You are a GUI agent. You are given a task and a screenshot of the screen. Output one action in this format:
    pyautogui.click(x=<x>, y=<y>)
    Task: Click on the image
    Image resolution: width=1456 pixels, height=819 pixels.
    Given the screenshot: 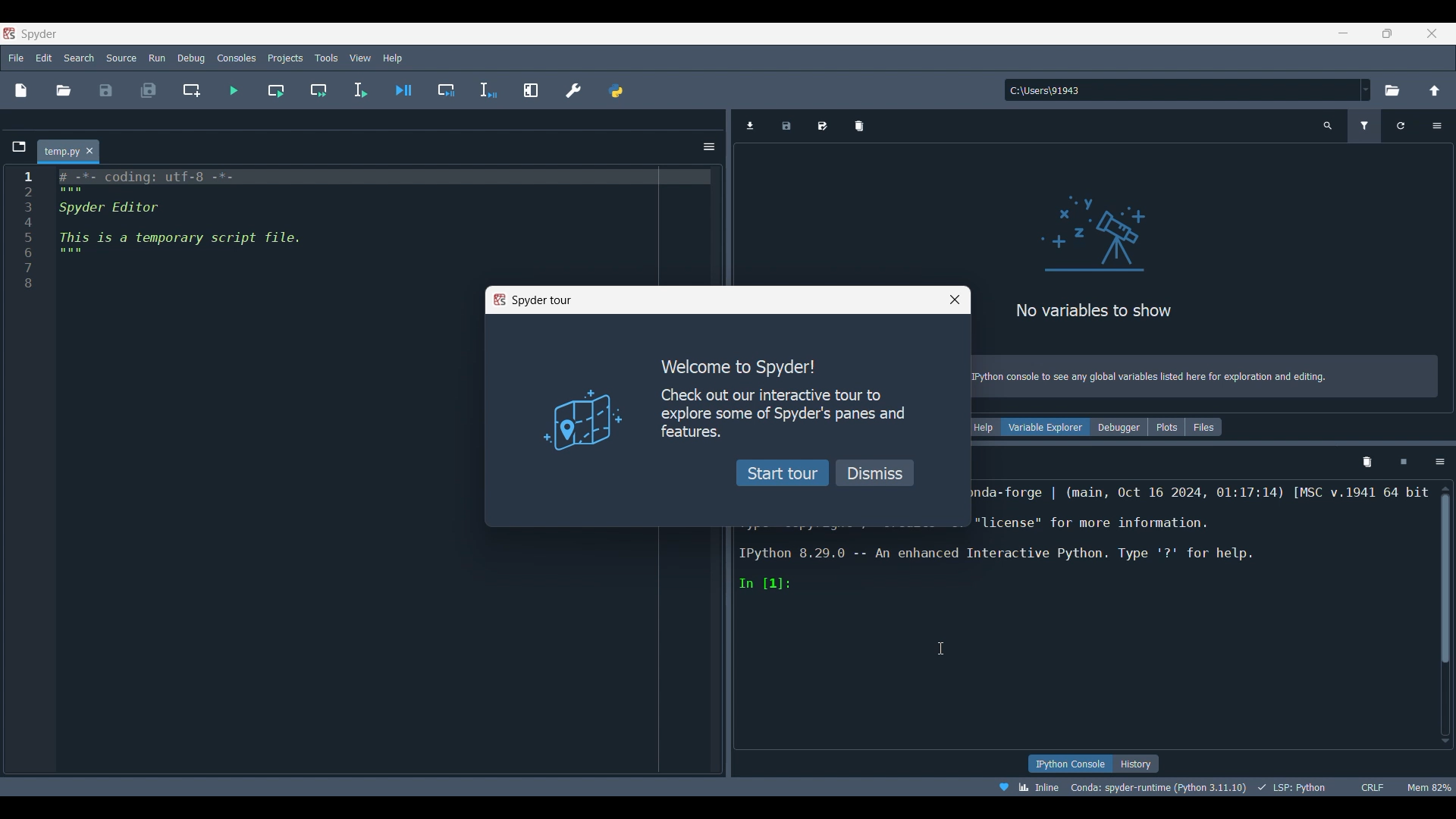 What is the action you would take?
    pyautogui.click(x=573, y=417)
    